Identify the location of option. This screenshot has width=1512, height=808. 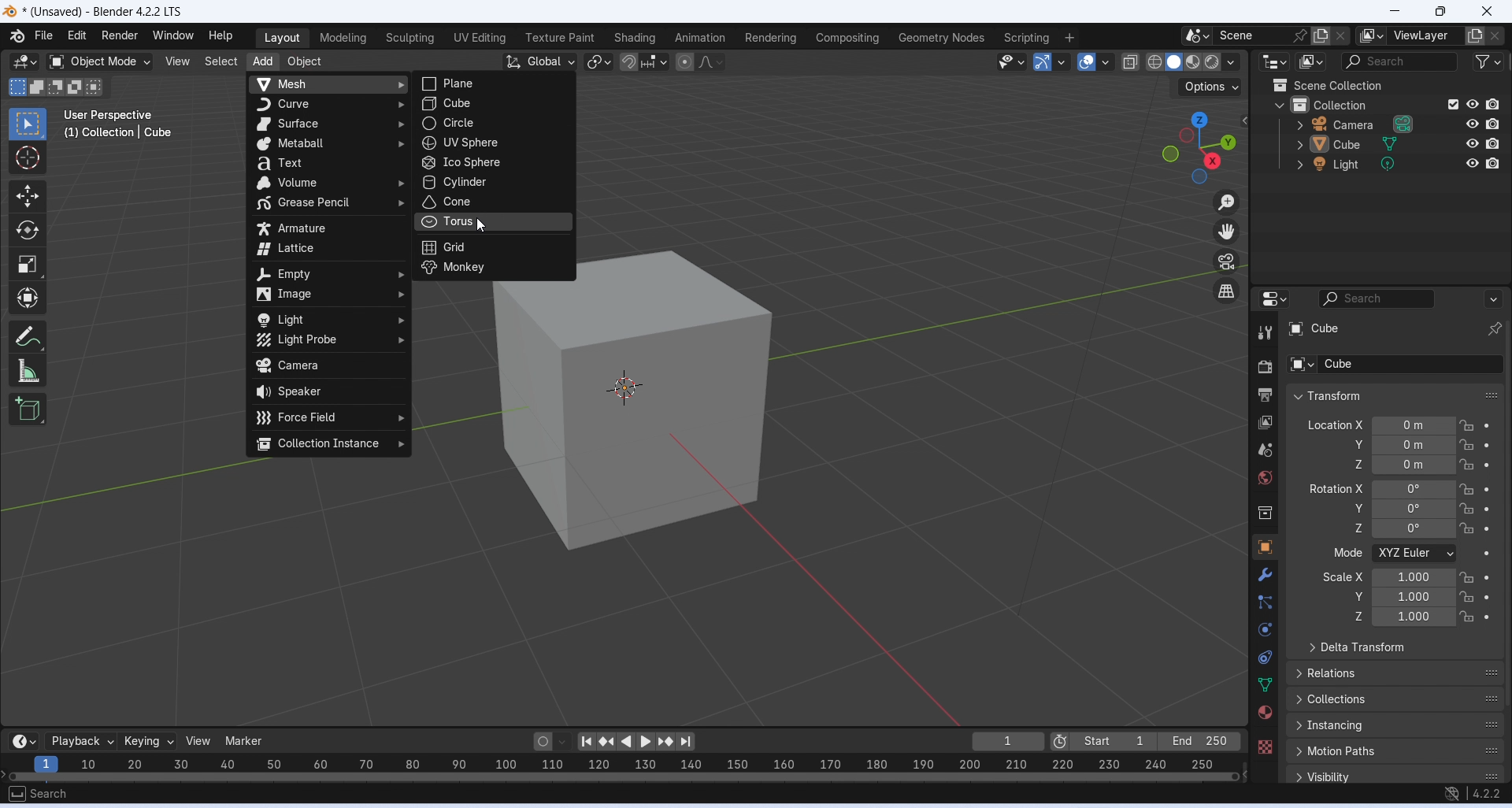
(1373, 36).